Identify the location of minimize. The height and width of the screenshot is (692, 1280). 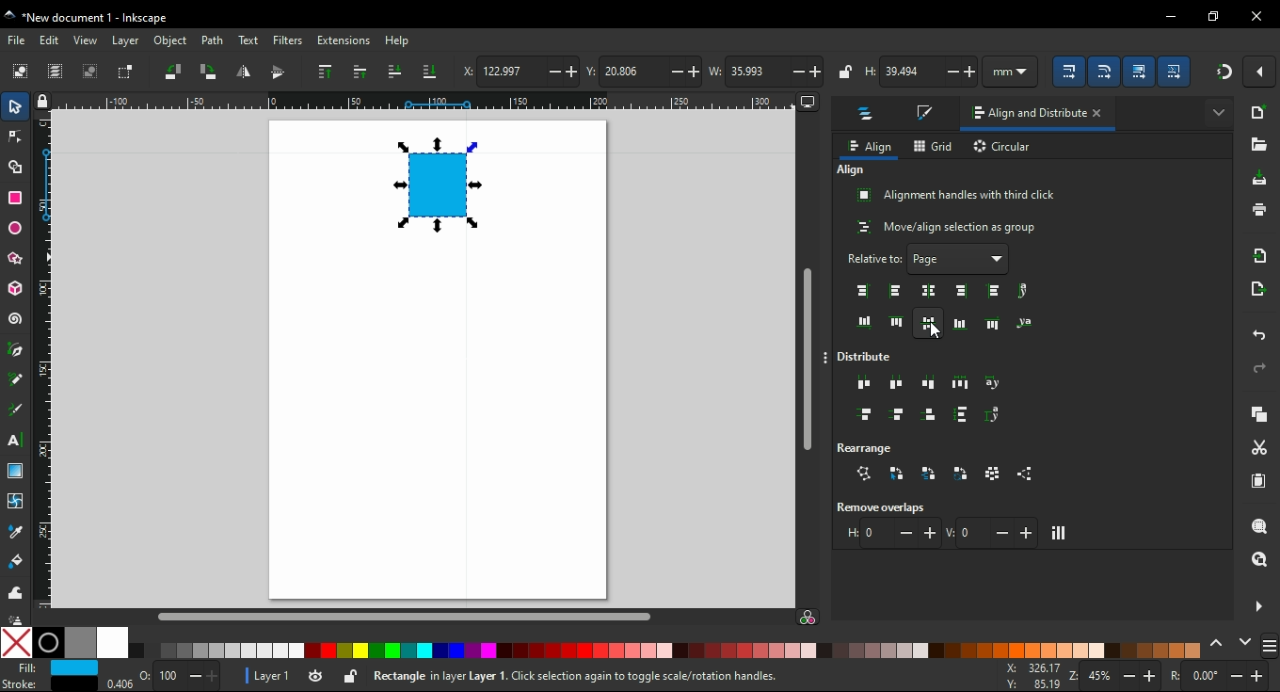
(1170, 14).